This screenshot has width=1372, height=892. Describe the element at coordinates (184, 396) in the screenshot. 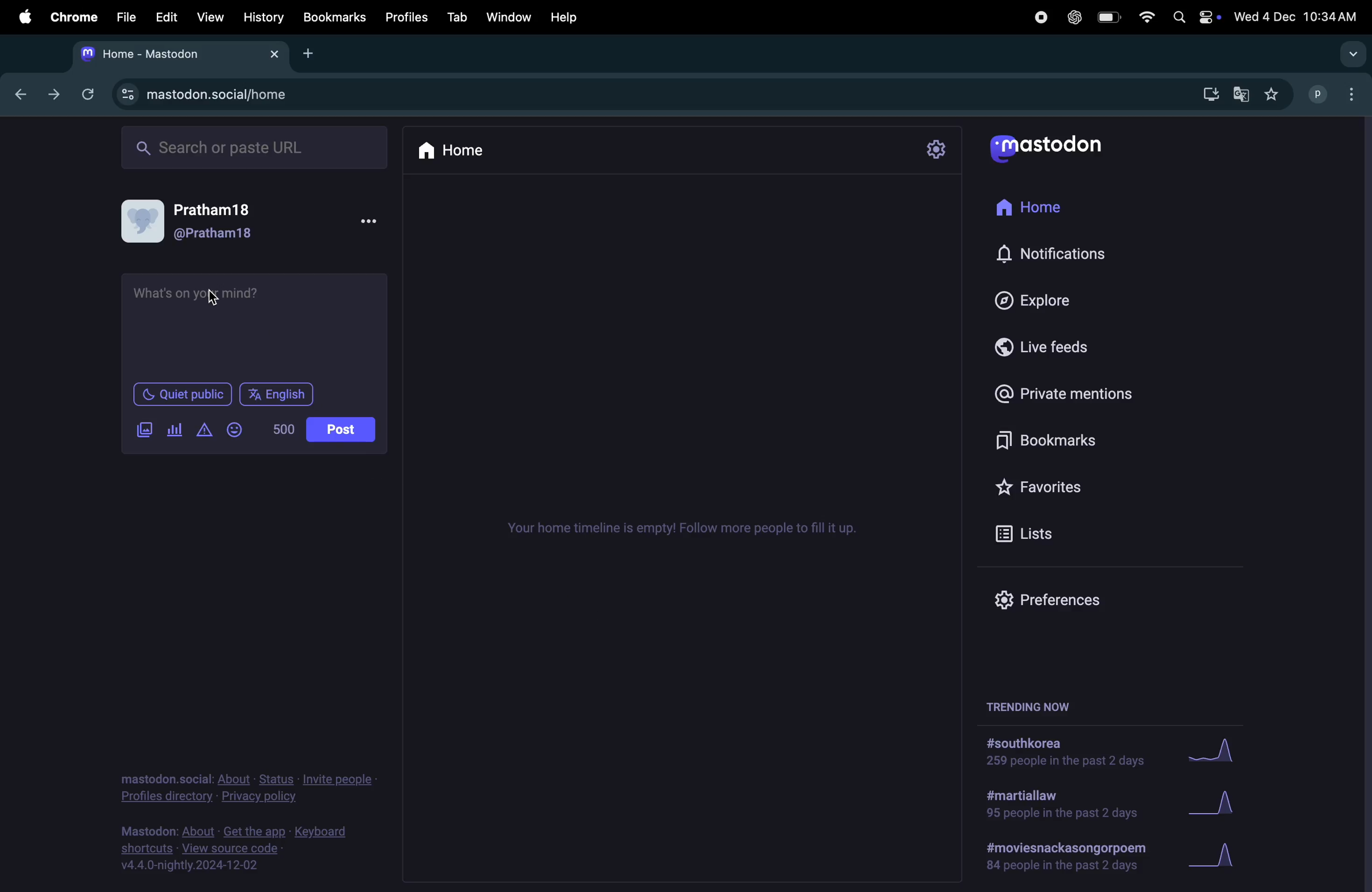

I see `Quiet public` at that location.